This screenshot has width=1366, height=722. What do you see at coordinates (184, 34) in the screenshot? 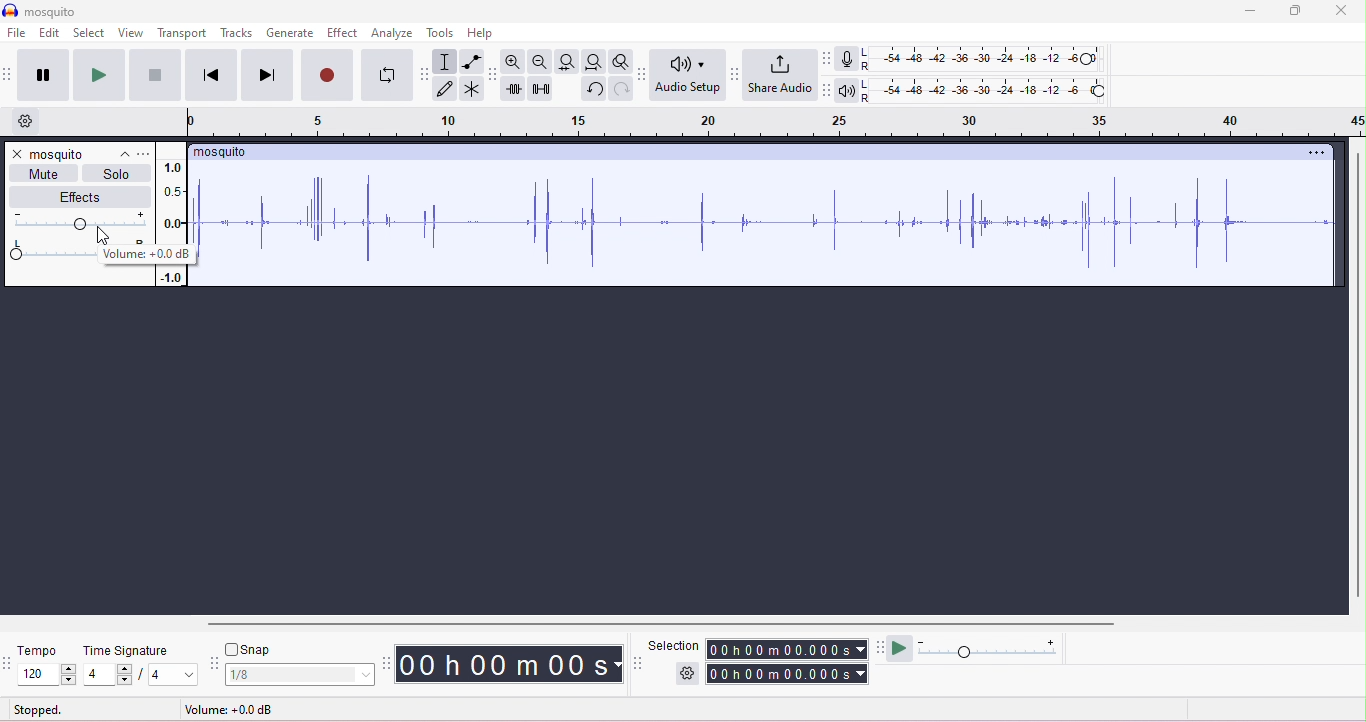
I see `transport` at bounding box center [184, 34].